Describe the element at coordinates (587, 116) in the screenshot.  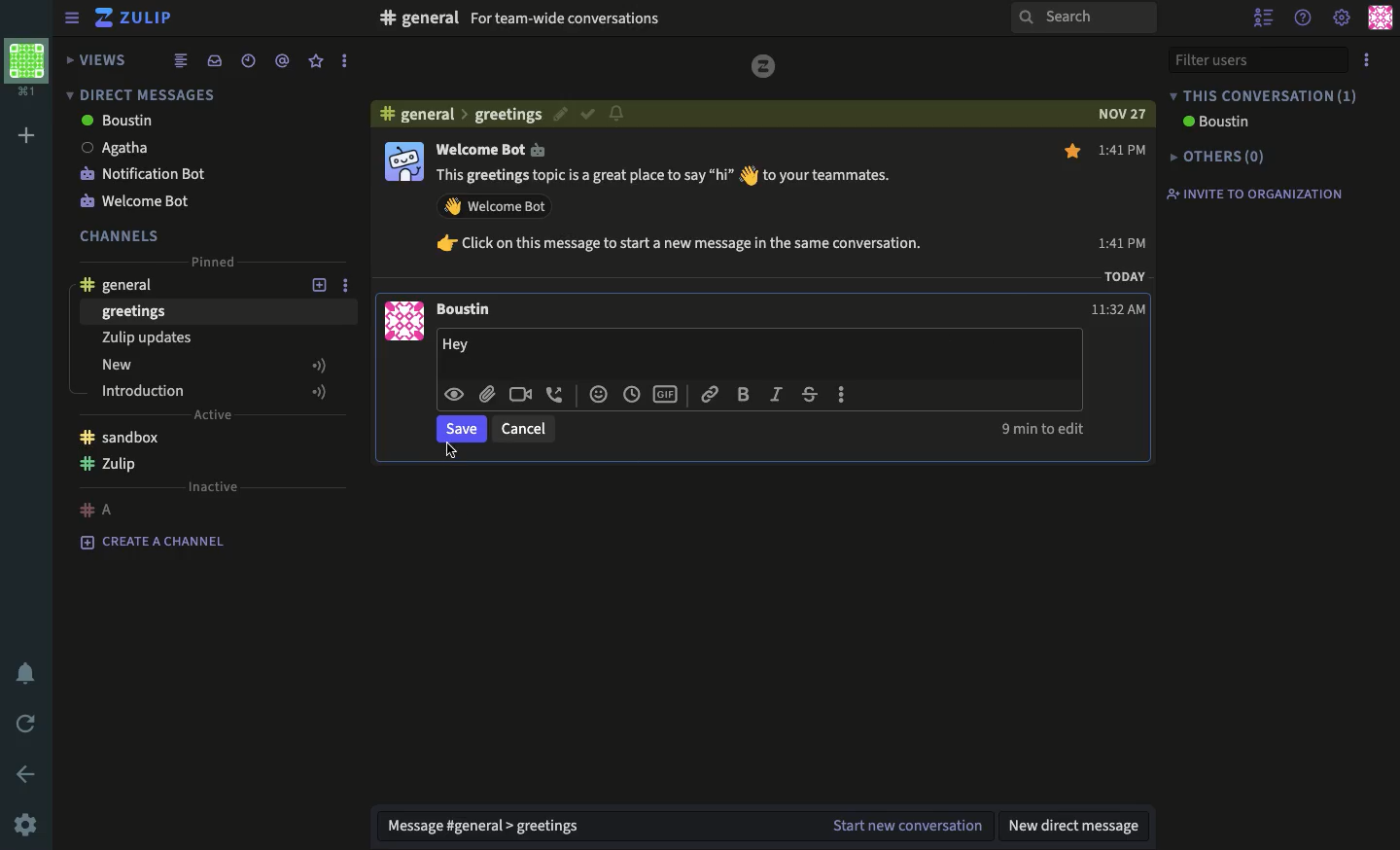
I see `confirm` at that location.